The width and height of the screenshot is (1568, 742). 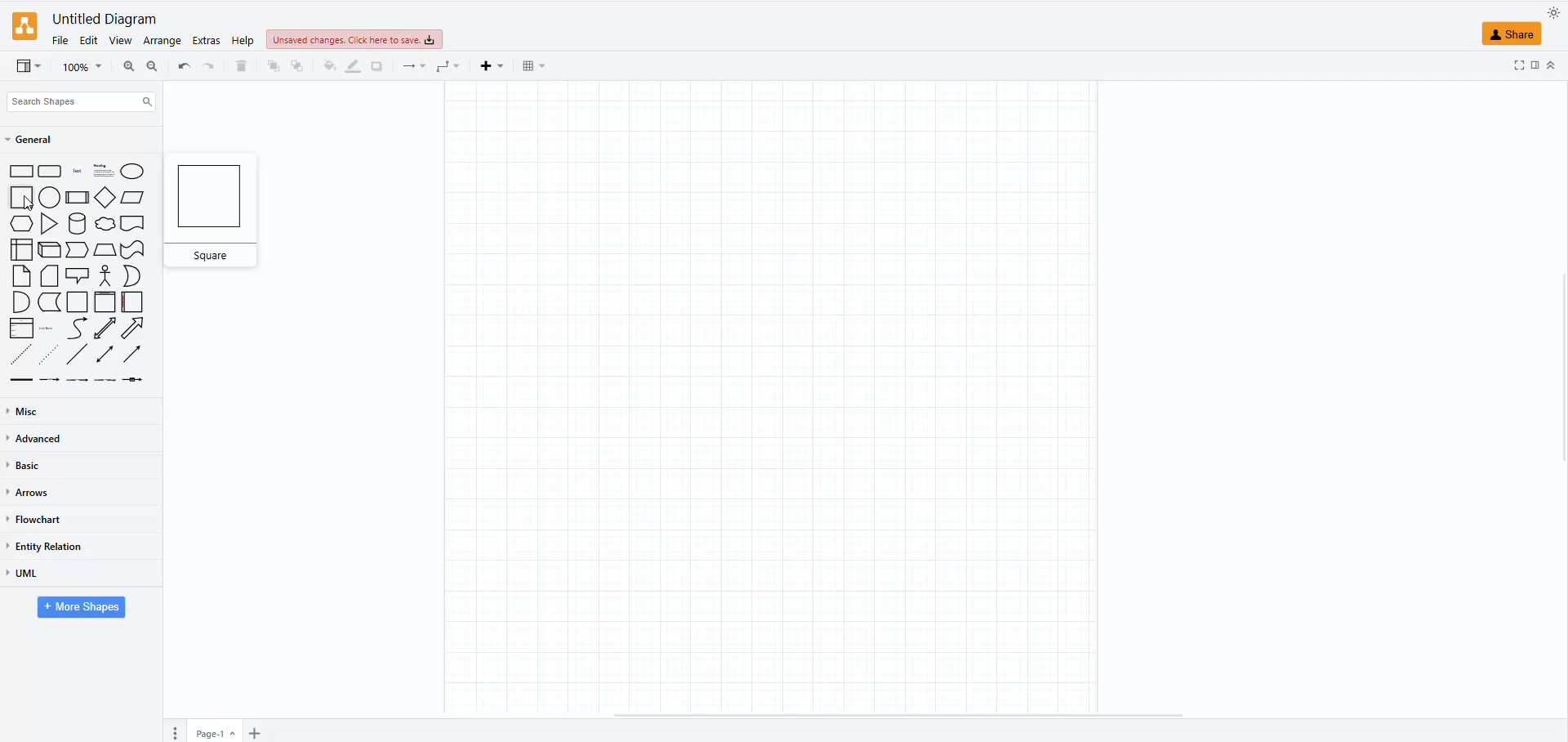 What do you see at coordinates (207, 65) in the screenshot?
I see `undo` at bounding box center [207, 65].